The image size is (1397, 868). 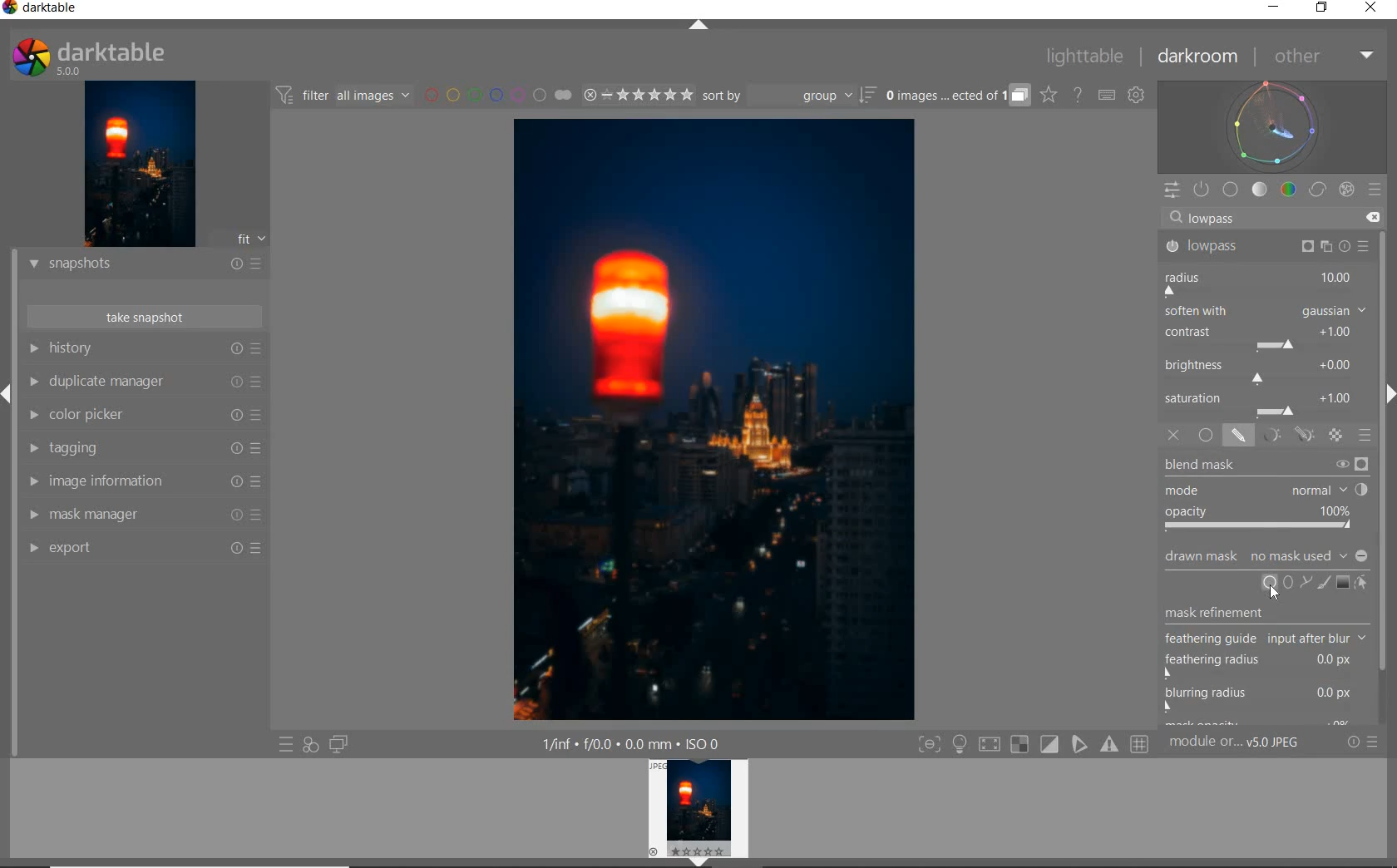 I want to click on DUPLICATE MANAGER, so click(x=147, y=383).